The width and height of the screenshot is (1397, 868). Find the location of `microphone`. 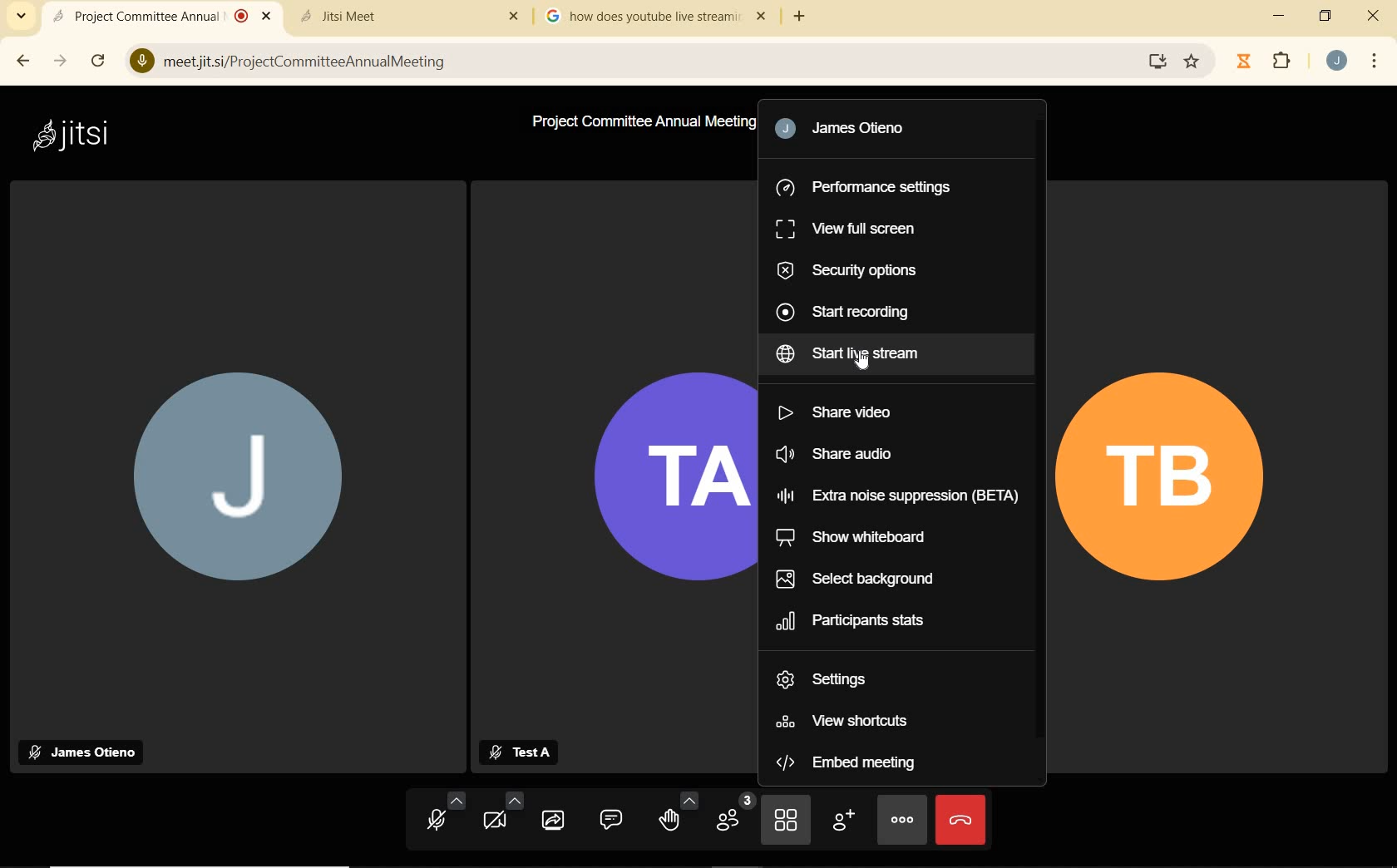

microphone is located at coordinates (446, 815).